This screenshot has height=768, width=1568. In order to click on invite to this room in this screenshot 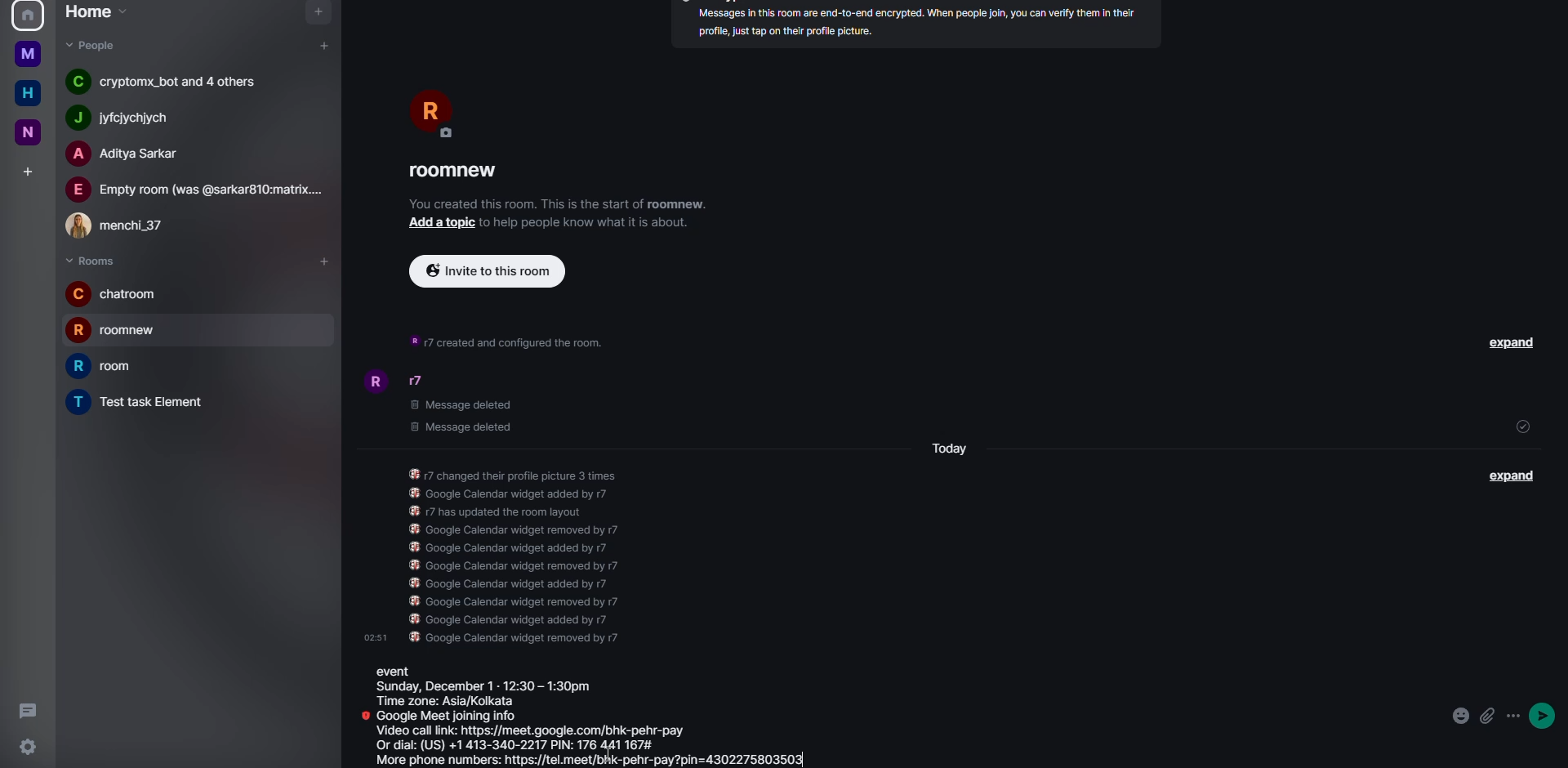, I will do `click(483, 271)`.